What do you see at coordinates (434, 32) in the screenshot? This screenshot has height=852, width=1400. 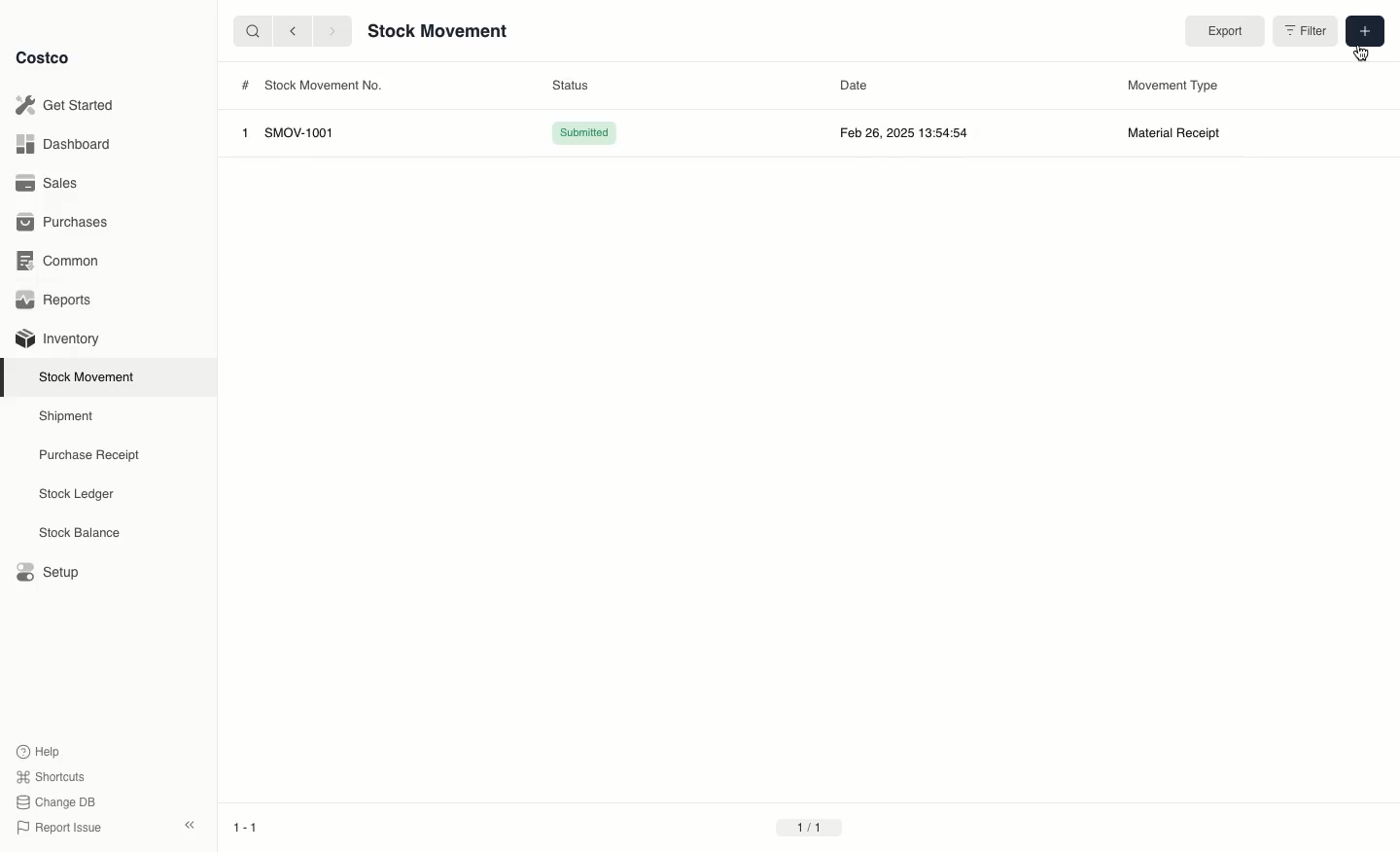 I see `Stock Movement` at bounding box center [434, 32].